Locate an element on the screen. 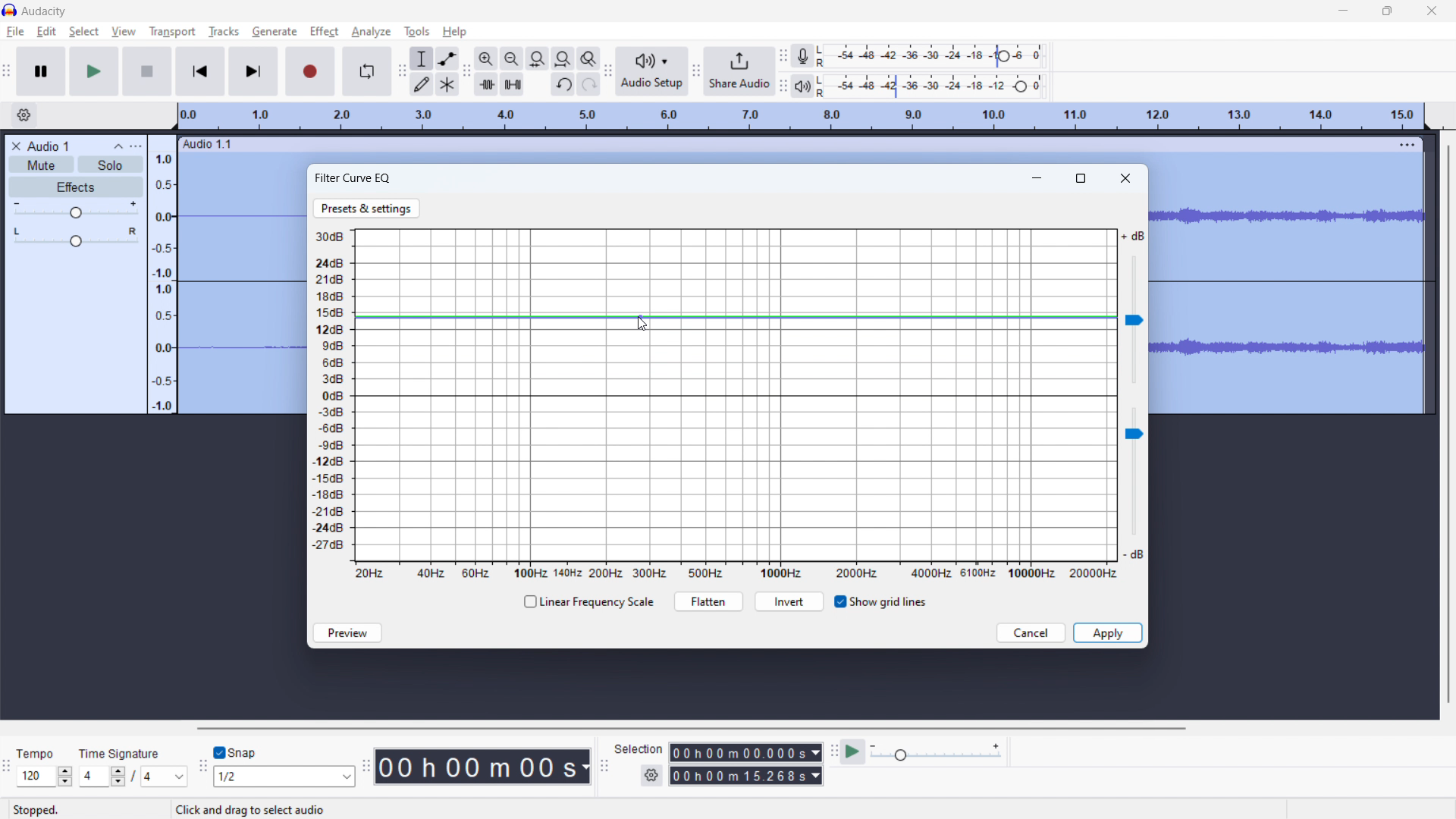  solo is located at coordinates (110, 165).